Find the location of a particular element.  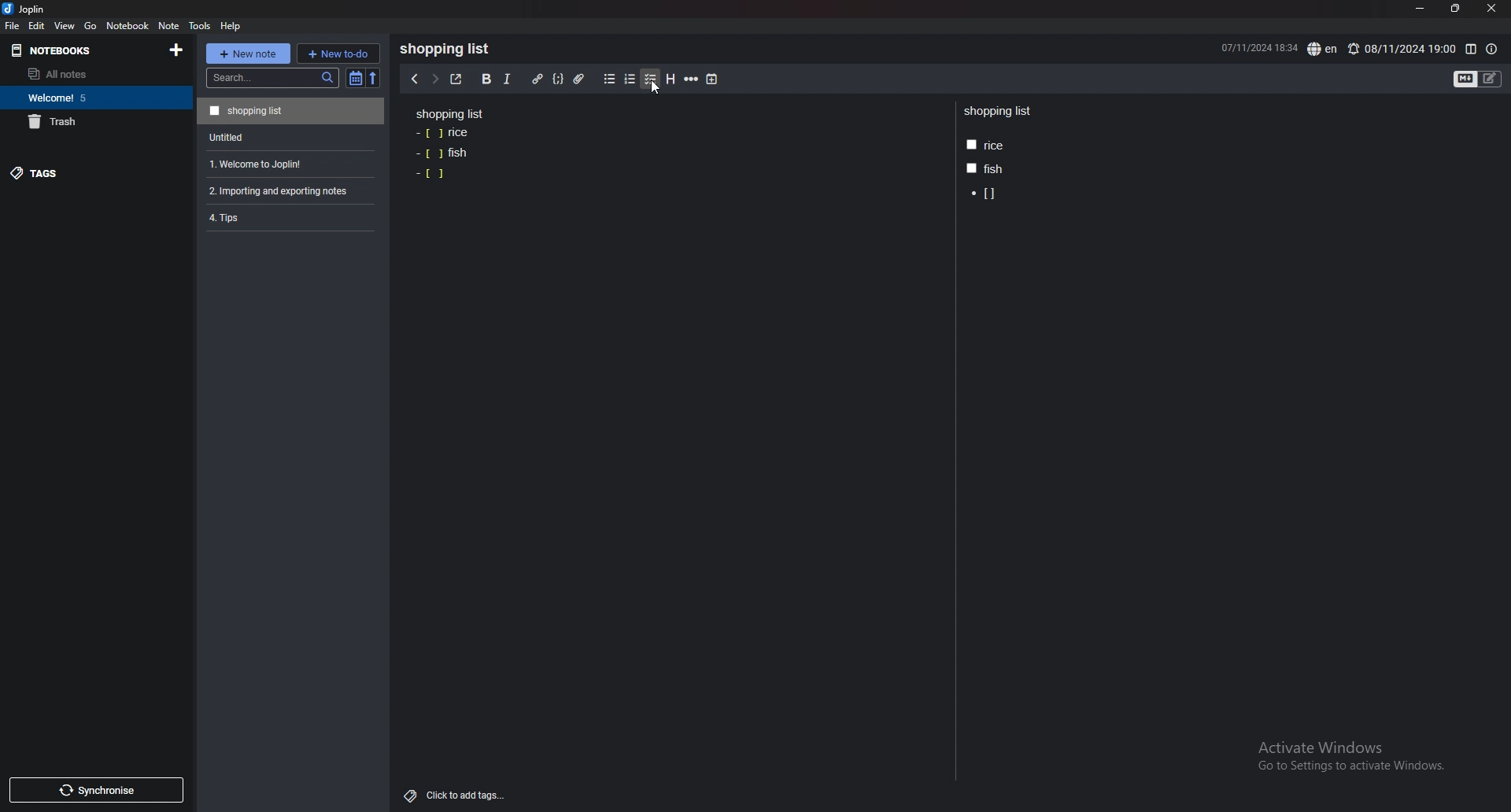

note properties is located at coordinates (1491, 50).